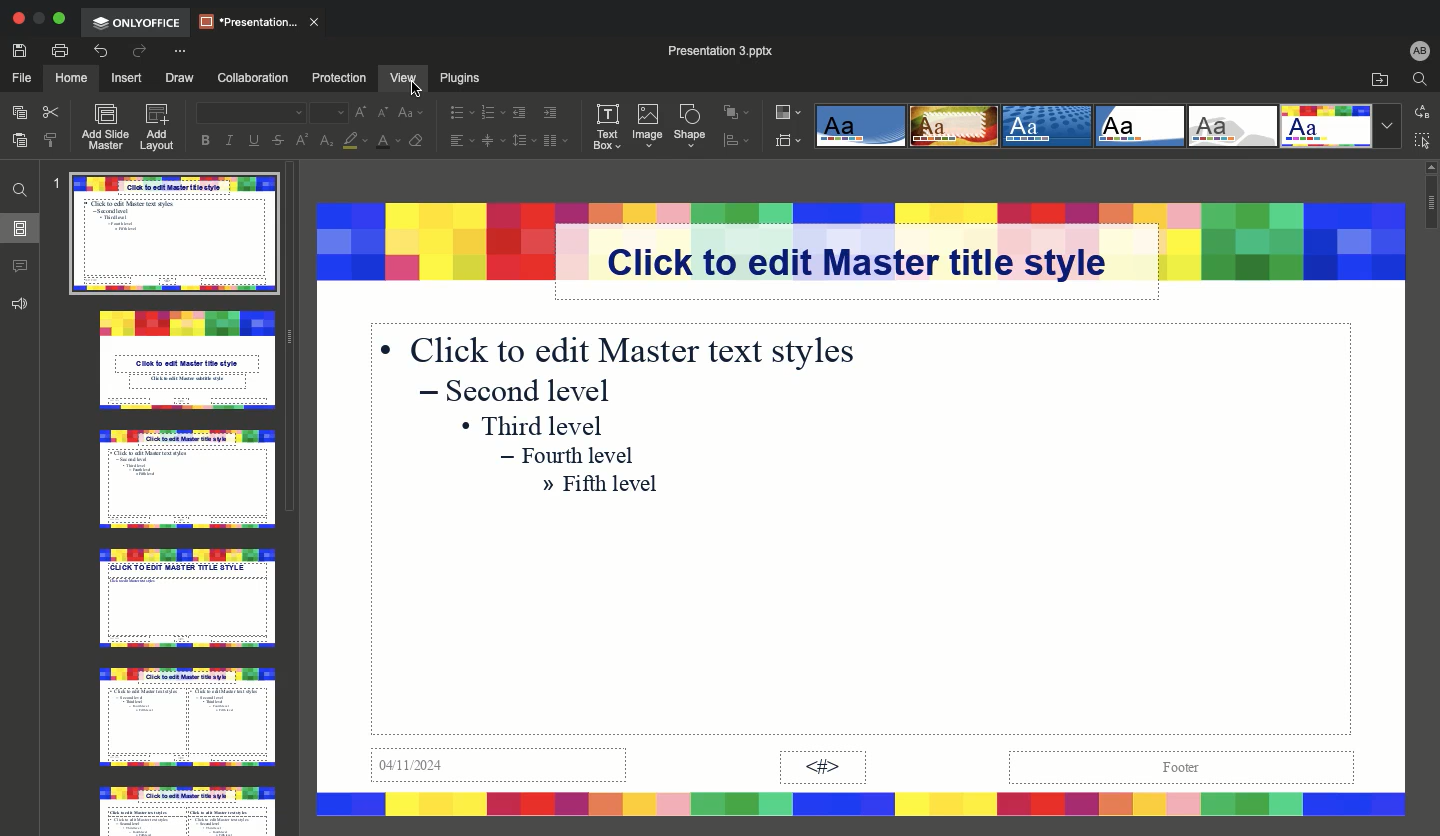  Describe the element at coordinates (188, 364) in the screenshot. I see `Layout master slide 2` at that location.